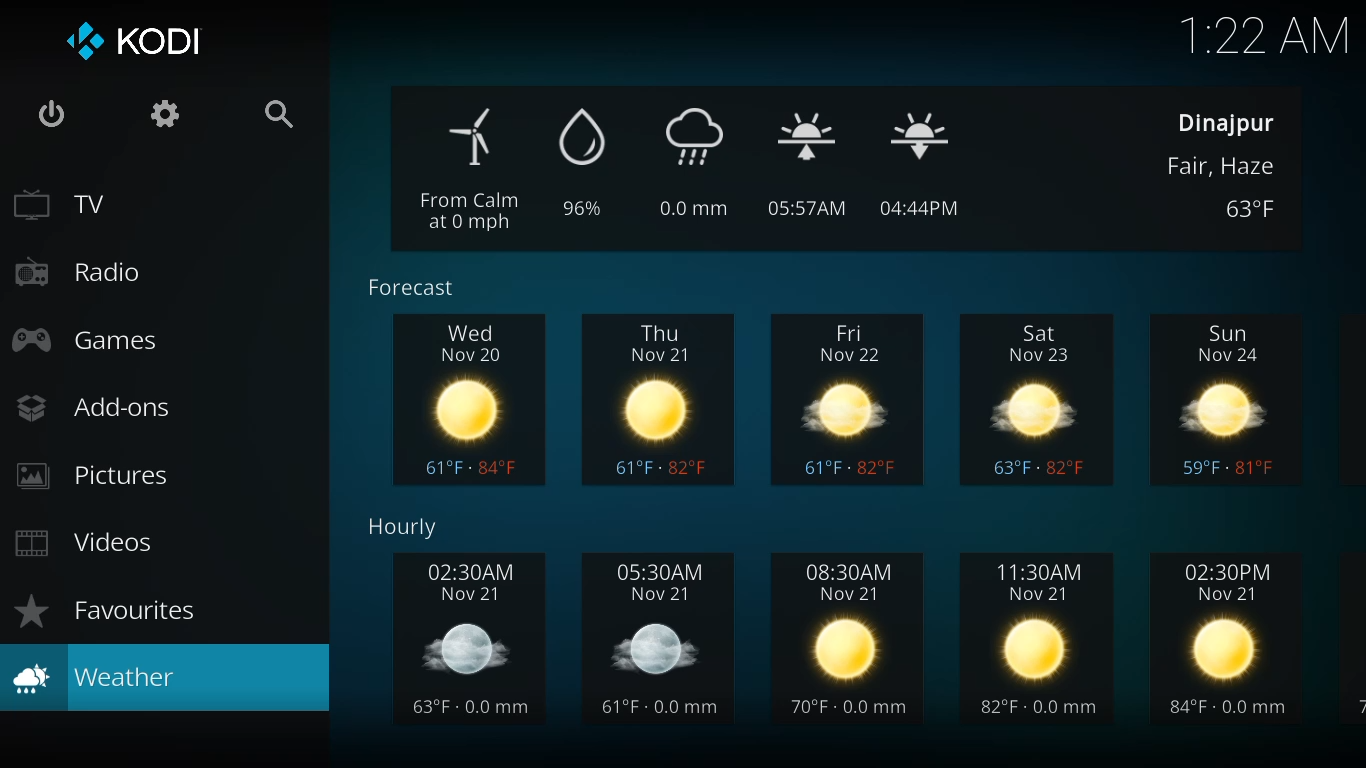 This screenshot has height=768, width=1366. What do you see at coordinates (1040, 396) in the screenshot?
I see `sat` at bounding box center [1040, 396].